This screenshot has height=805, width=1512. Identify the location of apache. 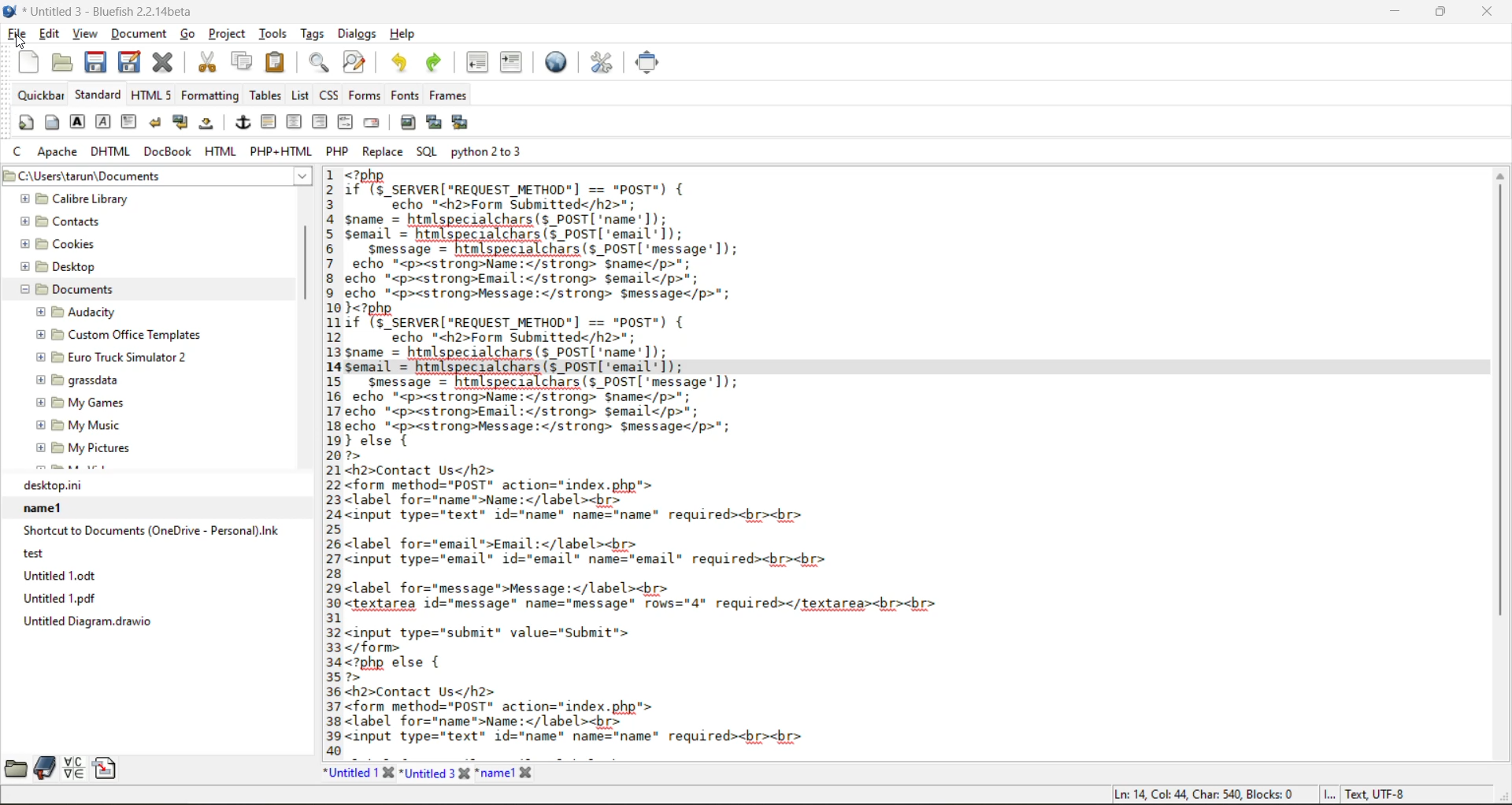
(59, 153).